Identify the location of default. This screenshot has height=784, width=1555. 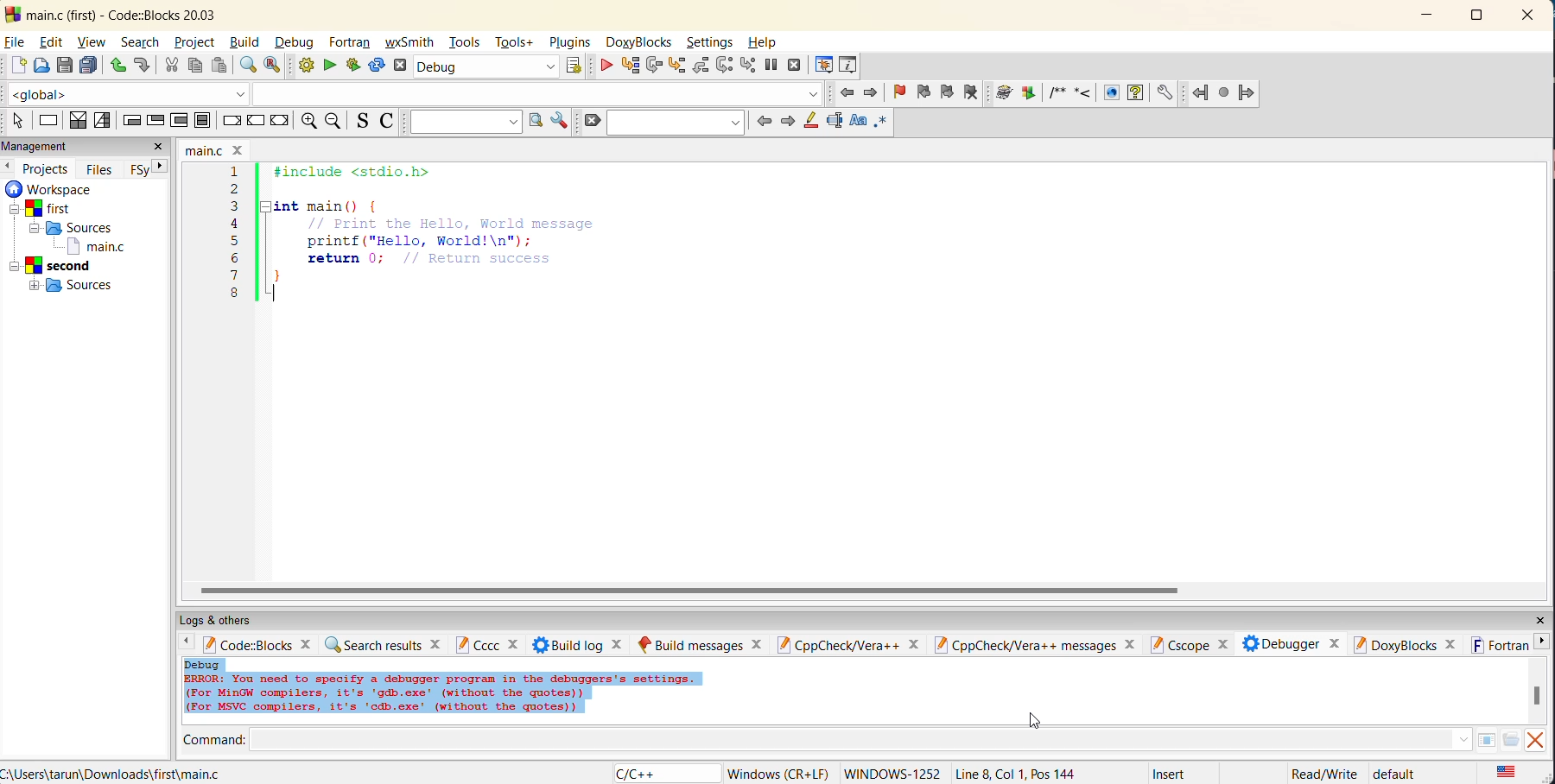
(1396, 774).